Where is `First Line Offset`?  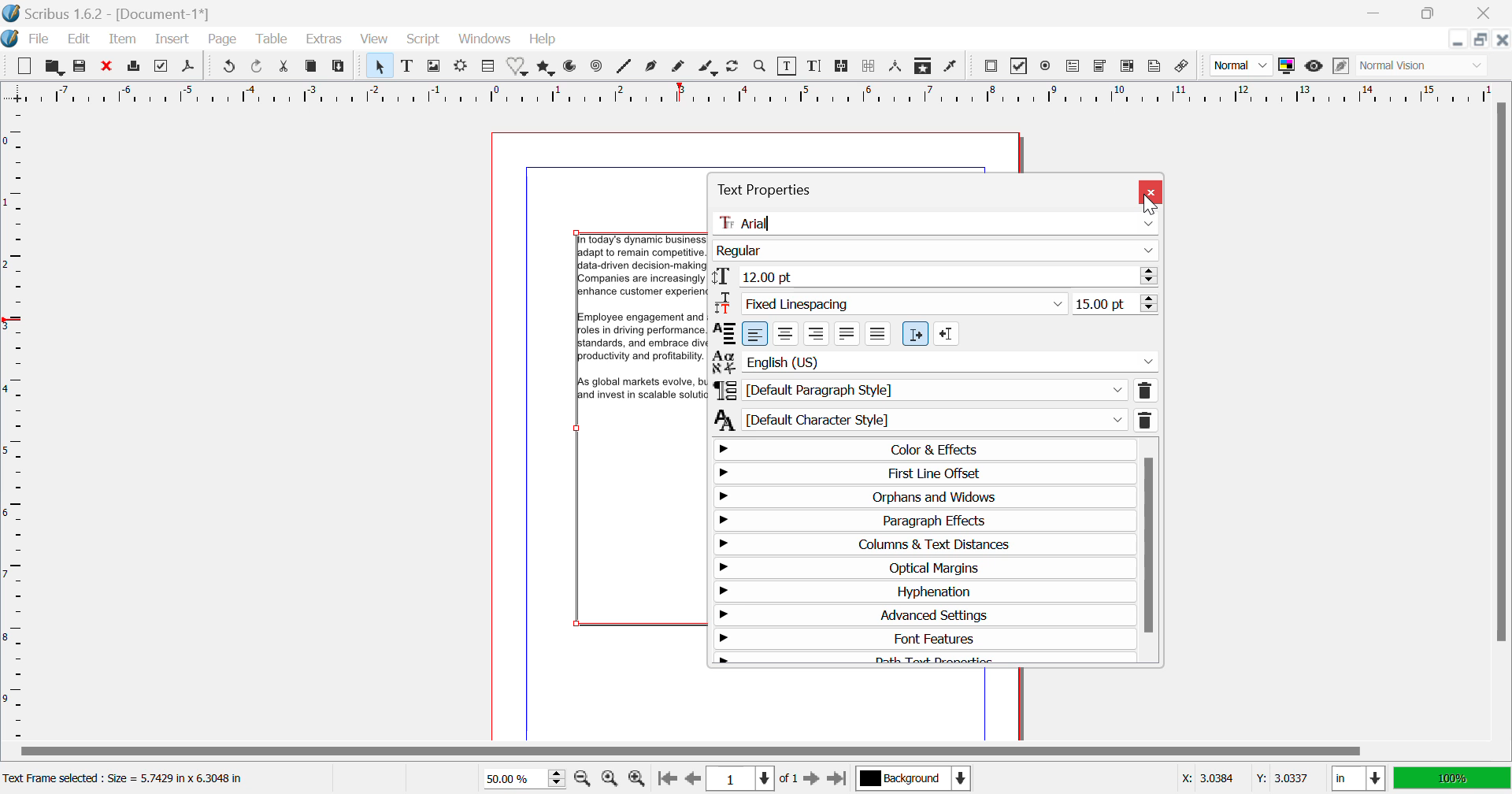 First Line Offset is located at coordinates (923, 474).